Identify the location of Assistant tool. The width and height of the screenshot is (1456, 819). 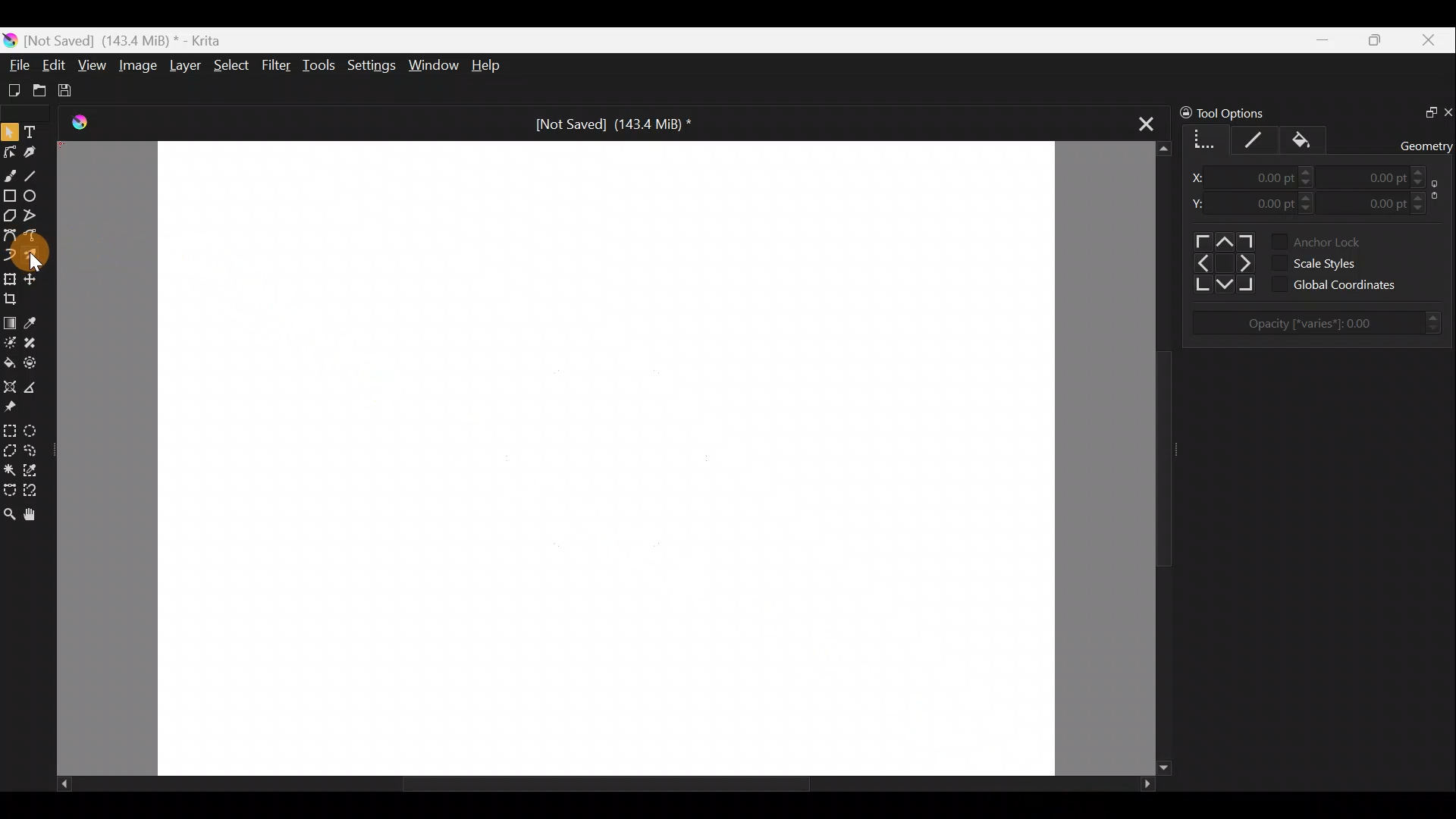
(11, 387).